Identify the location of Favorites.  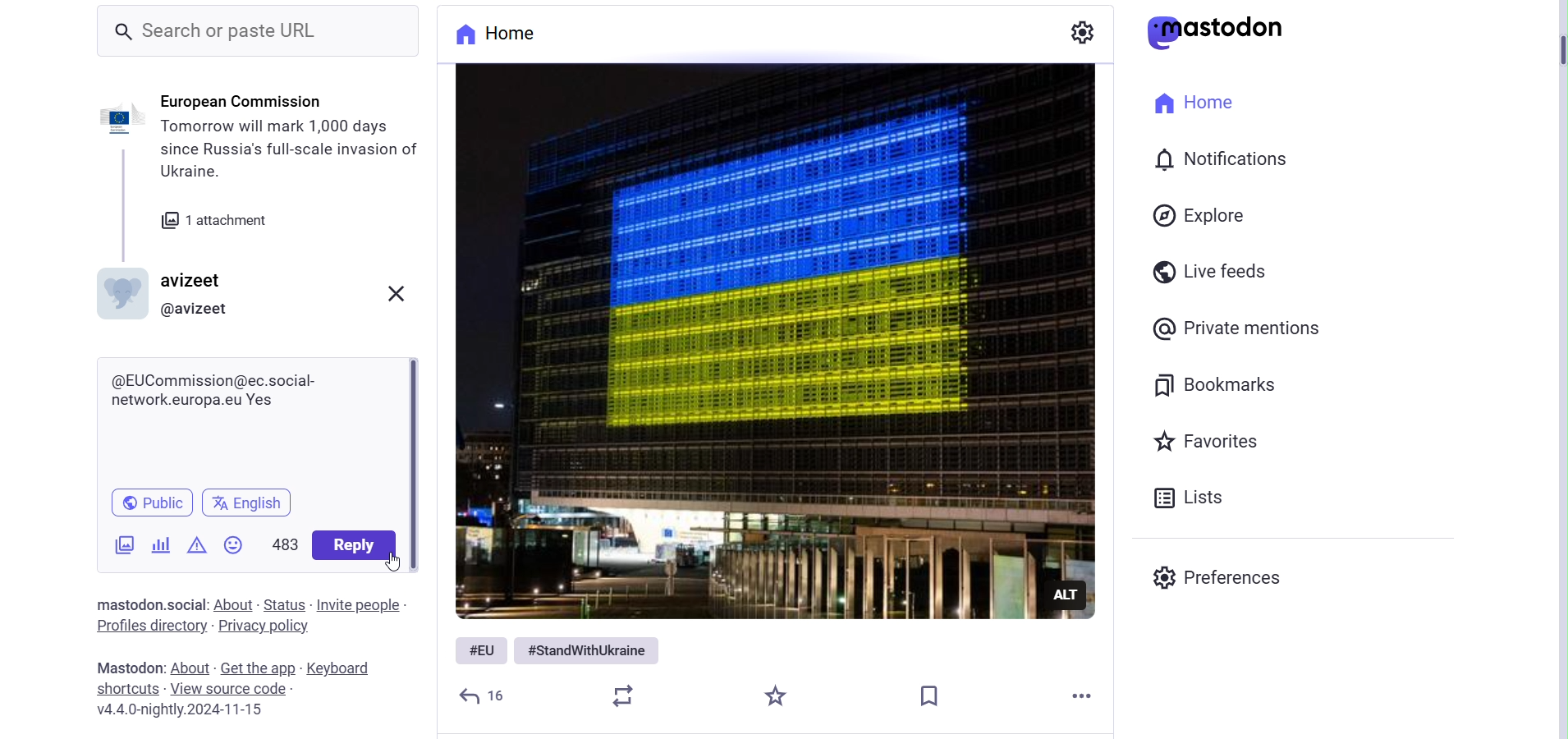
(1208, 441).